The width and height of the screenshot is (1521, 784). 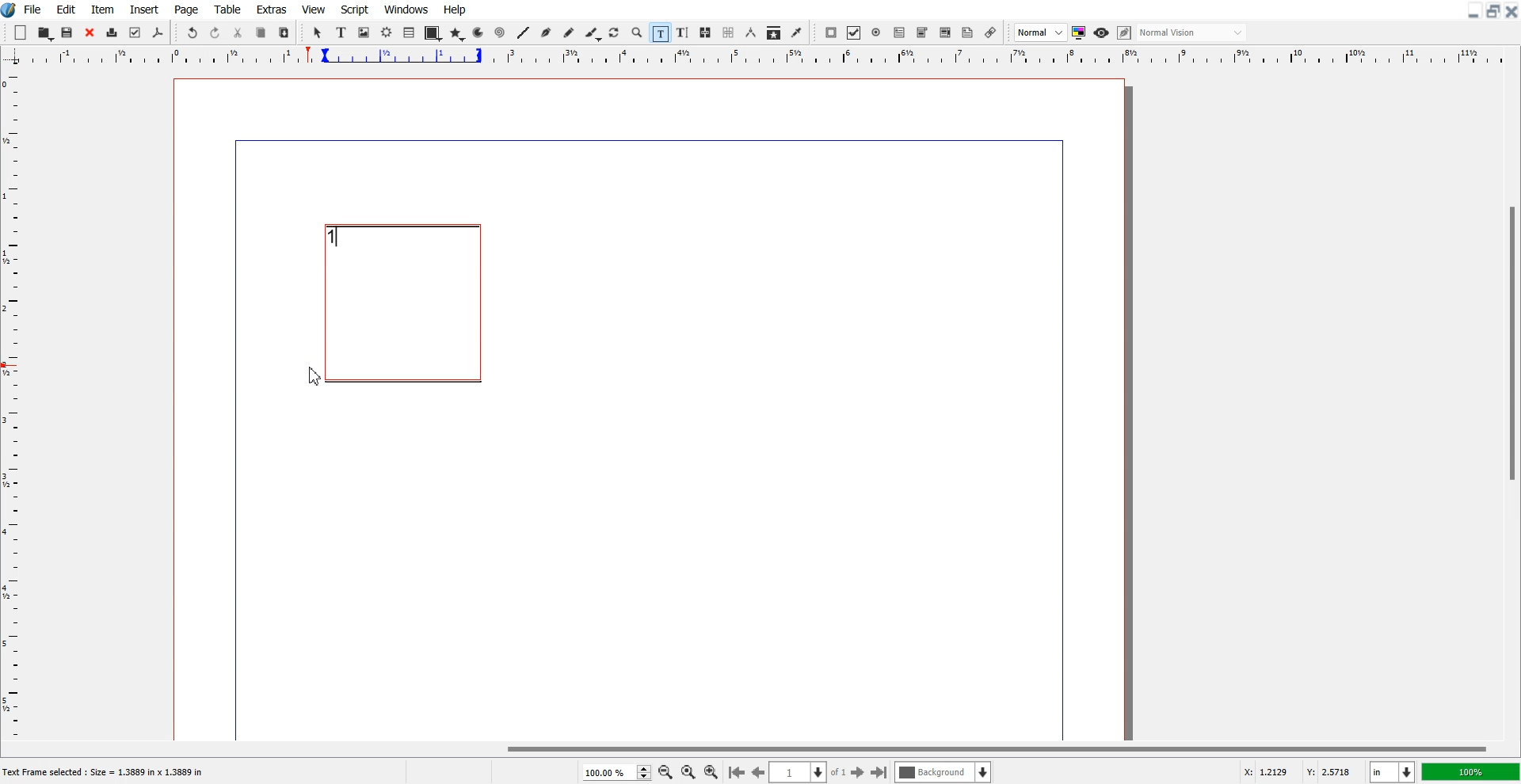 What do you see at coordinates (46, 33) in the screenshot?
I see `Open` at bounding box center [46, 33].